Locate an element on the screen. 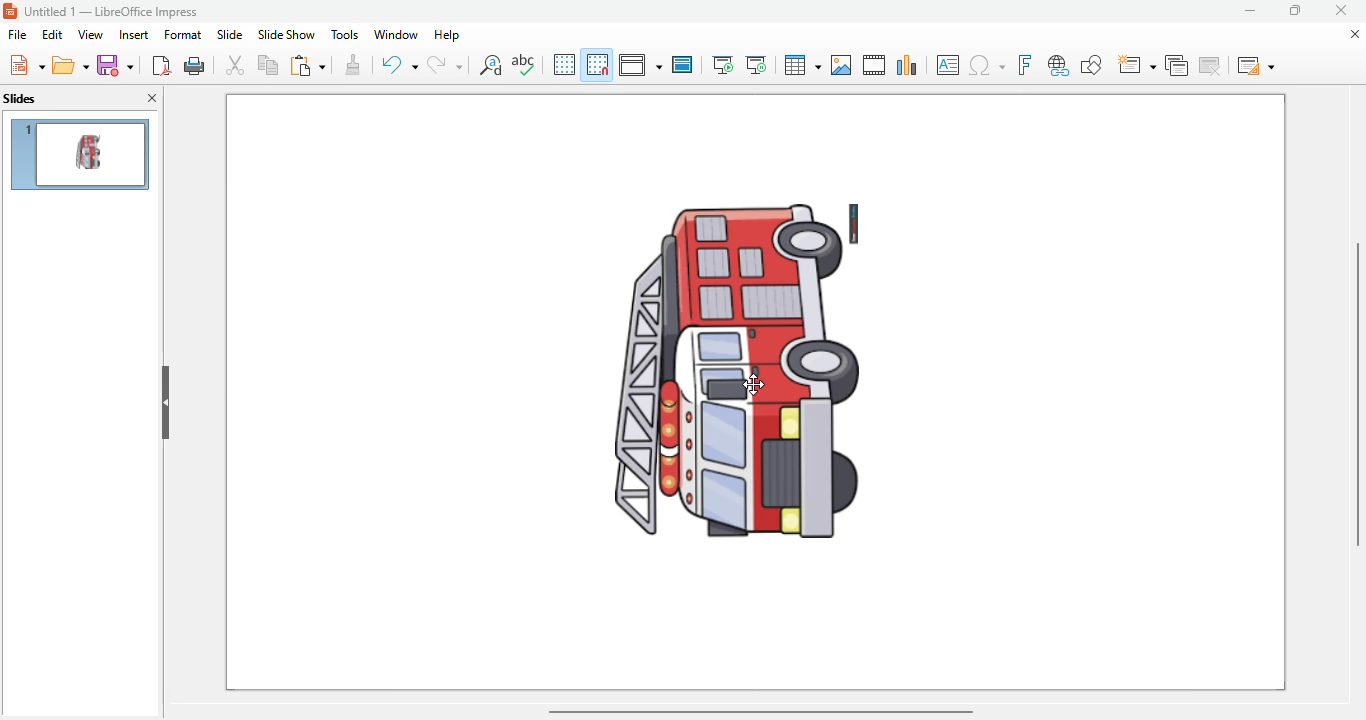  find and replace is located at coordinates (490, 64).